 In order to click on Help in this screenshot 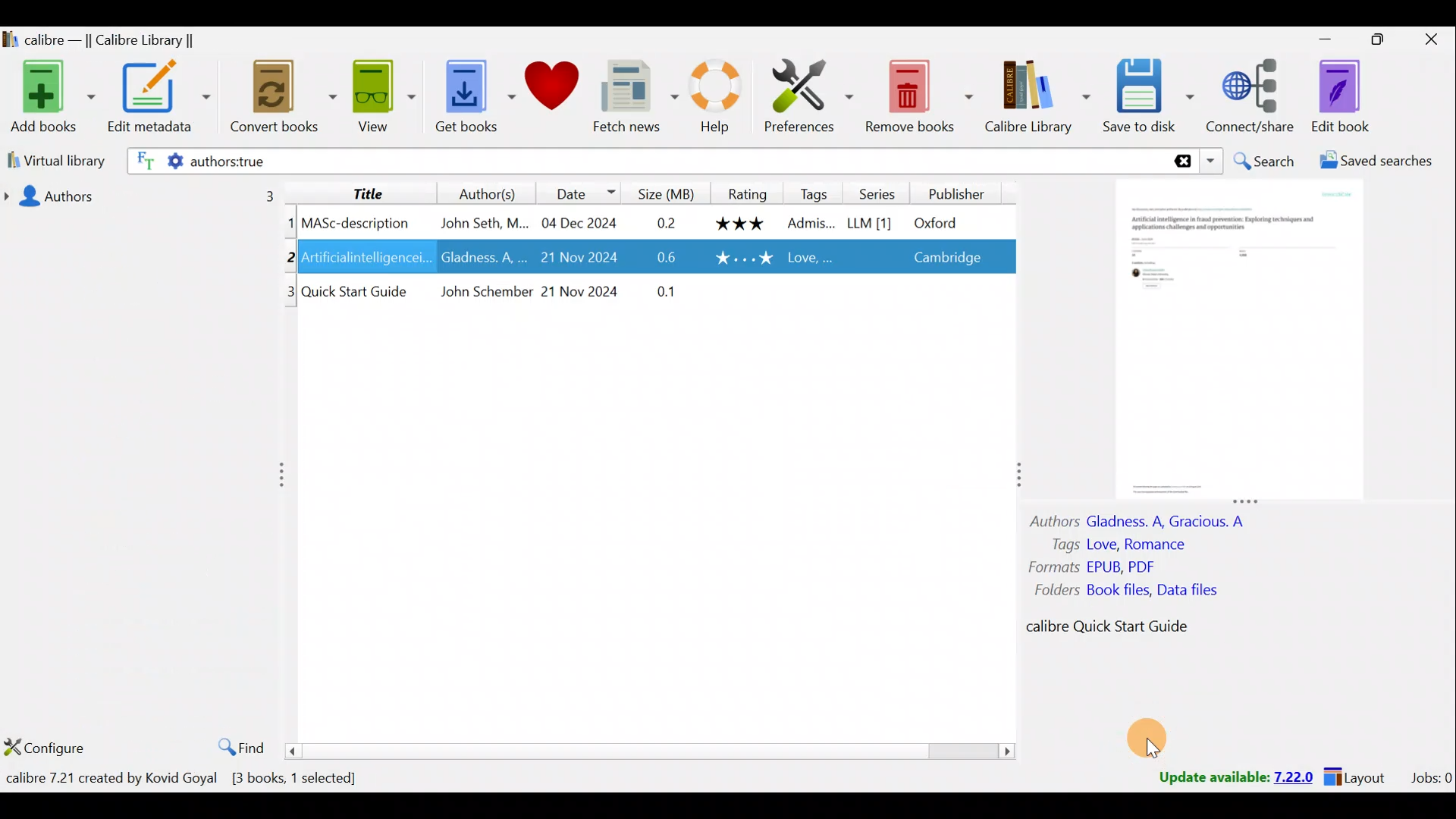, I will do `click(706, 99)`.